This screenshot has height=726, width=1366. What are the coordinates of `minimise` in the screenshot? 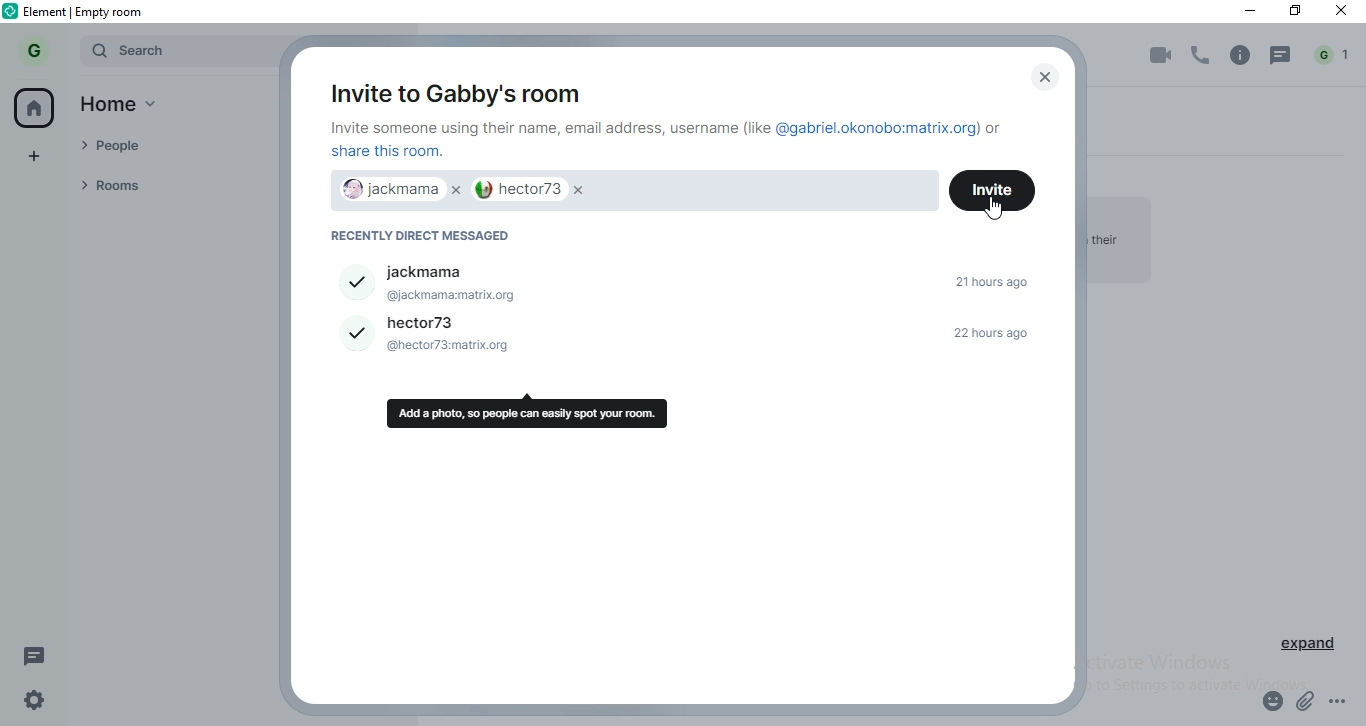 It's located at (1243, 11).